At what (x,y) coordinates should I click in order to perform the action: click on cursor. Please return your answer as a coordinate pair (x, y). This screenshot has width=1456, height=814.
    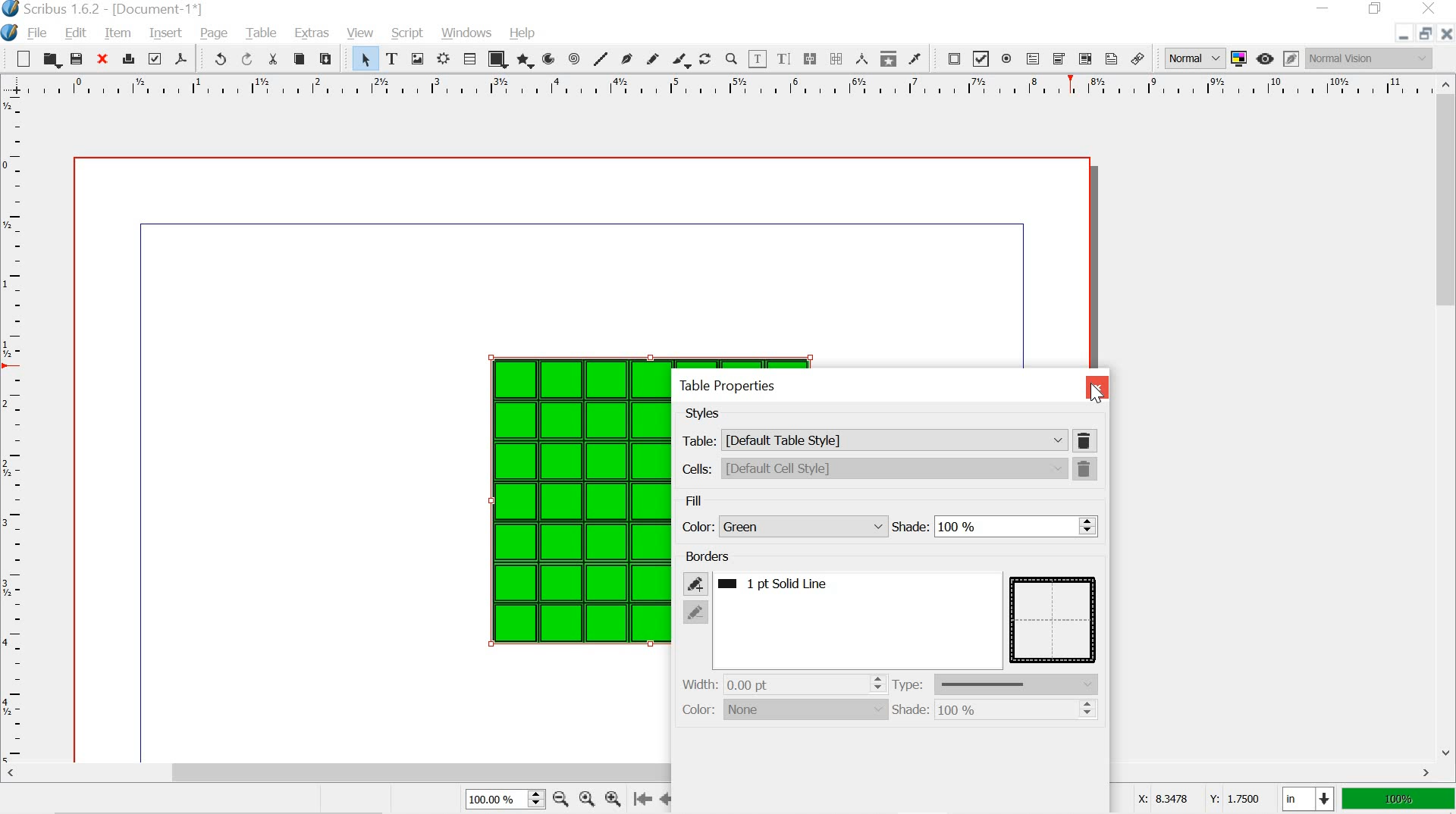
    Looking at the image, I should click on (1097, 393).